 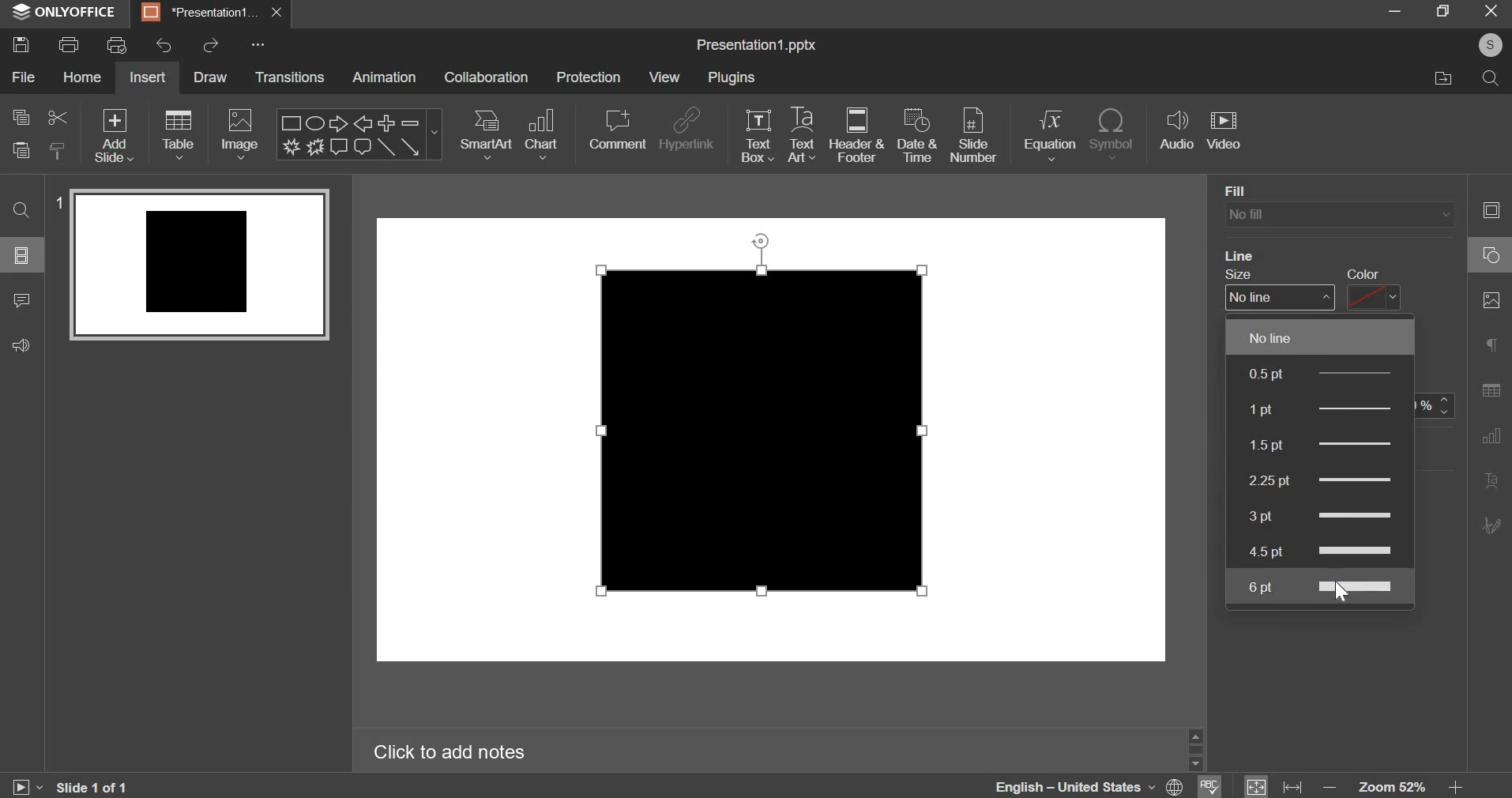 What do you see at coordinates (1491, 438) in the screenshot?
I see `Chart` at bounding box center [1491, 438].